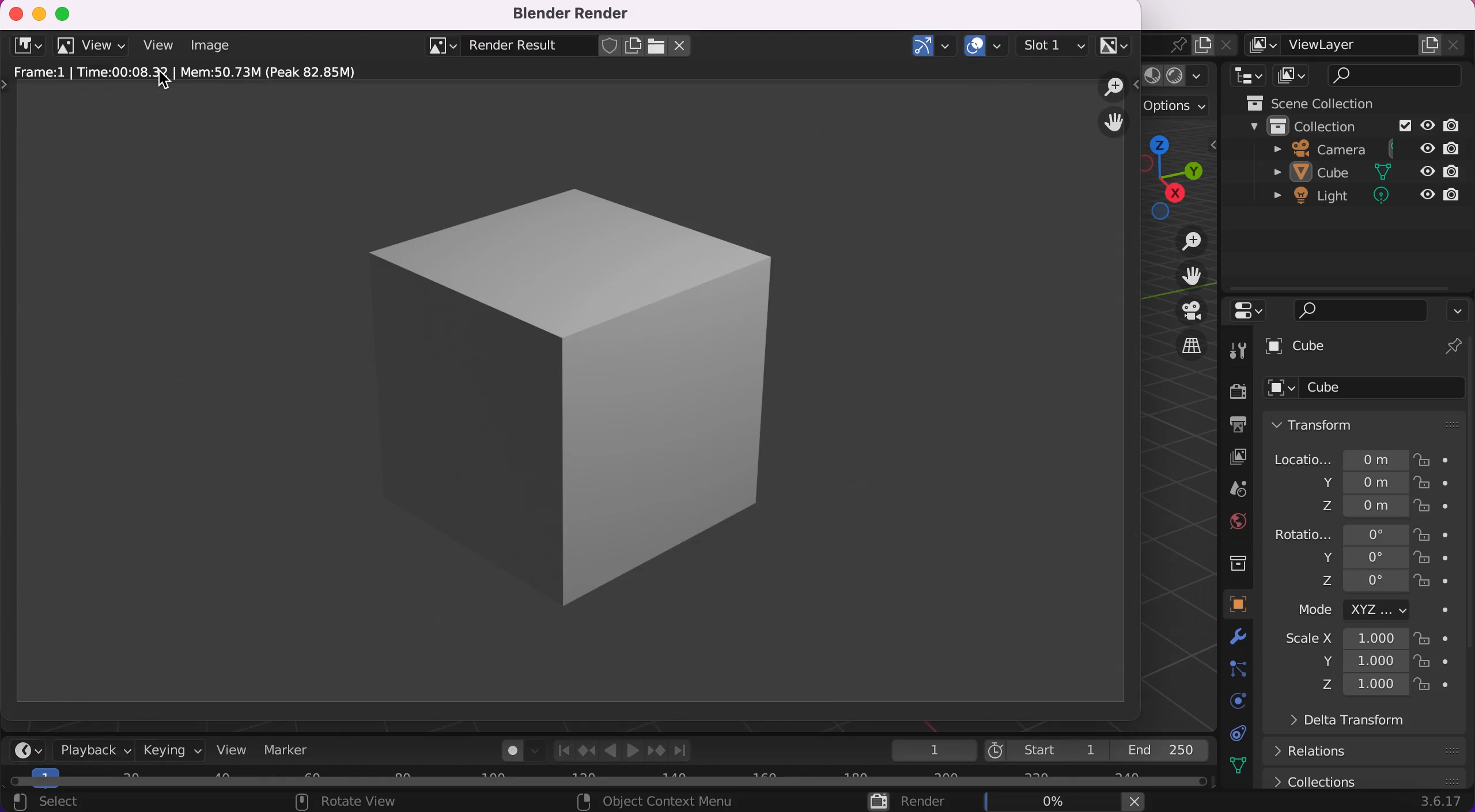 This screenshot has width=1475, height=812. Describe the element at coordinates (1366, 752) in the screenshot. I see `relations` at that location.